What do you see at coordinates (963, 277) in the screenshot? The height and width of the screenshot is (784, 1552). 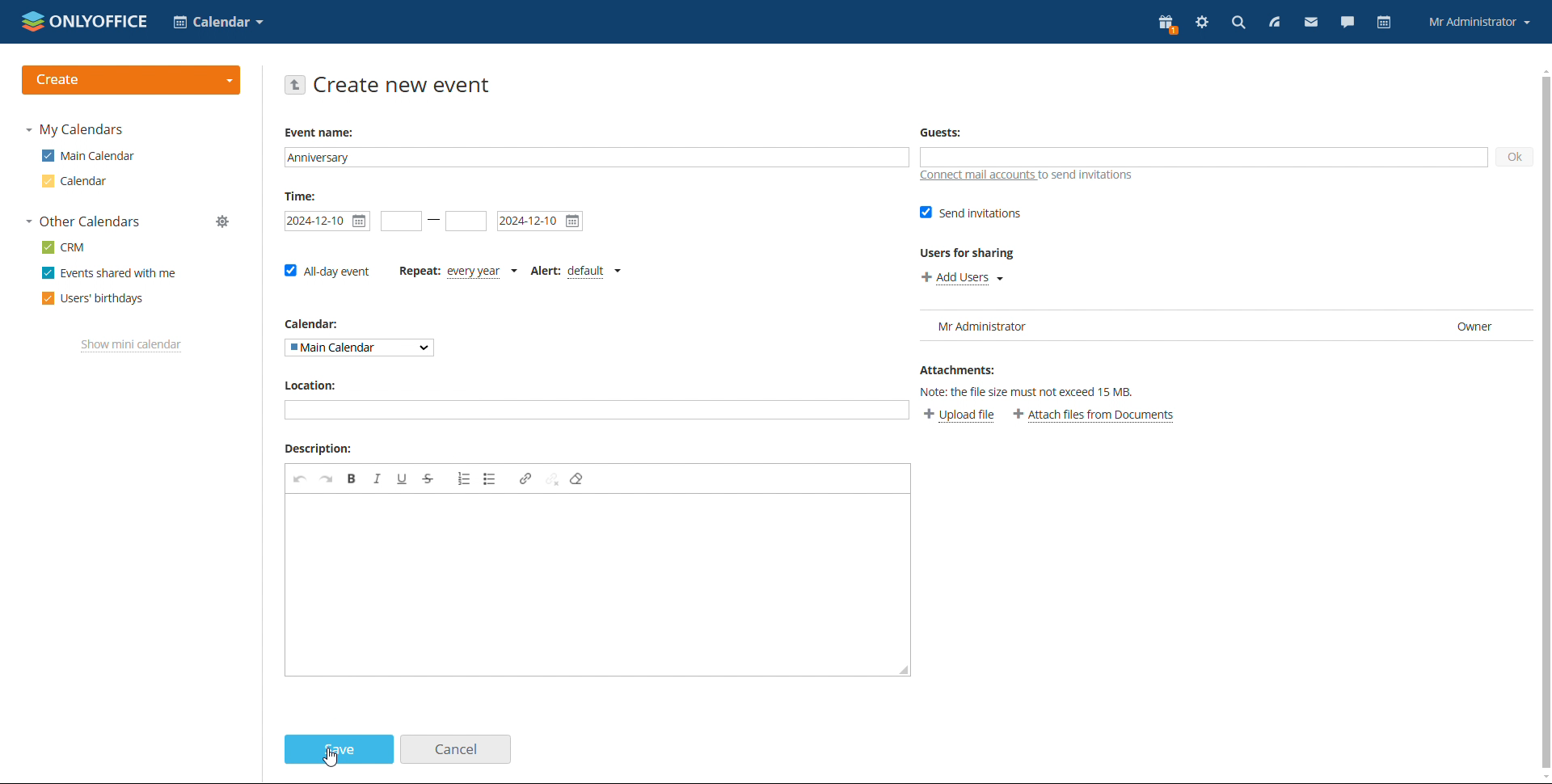 I see `add users` at bounding box center [963, 277].